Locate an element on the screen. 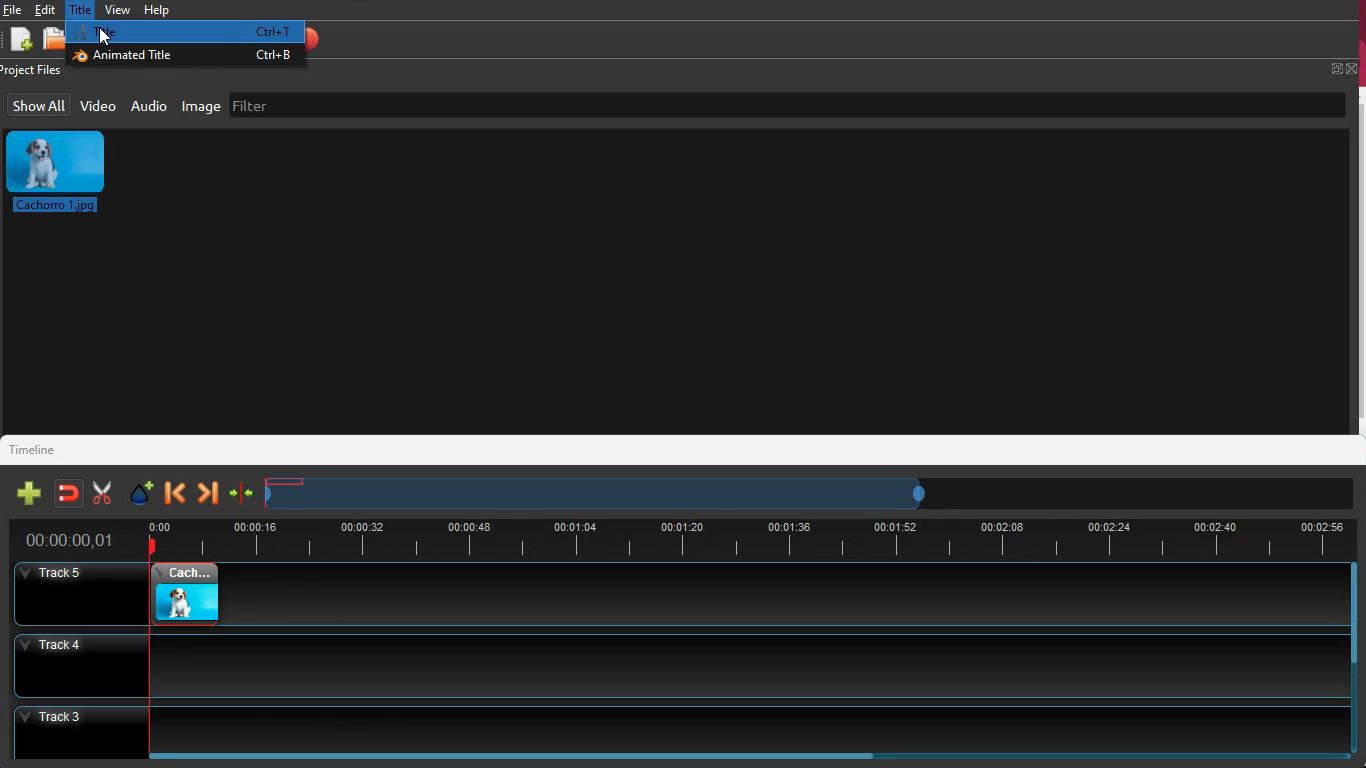  audio is located at coordinates (149, 105).